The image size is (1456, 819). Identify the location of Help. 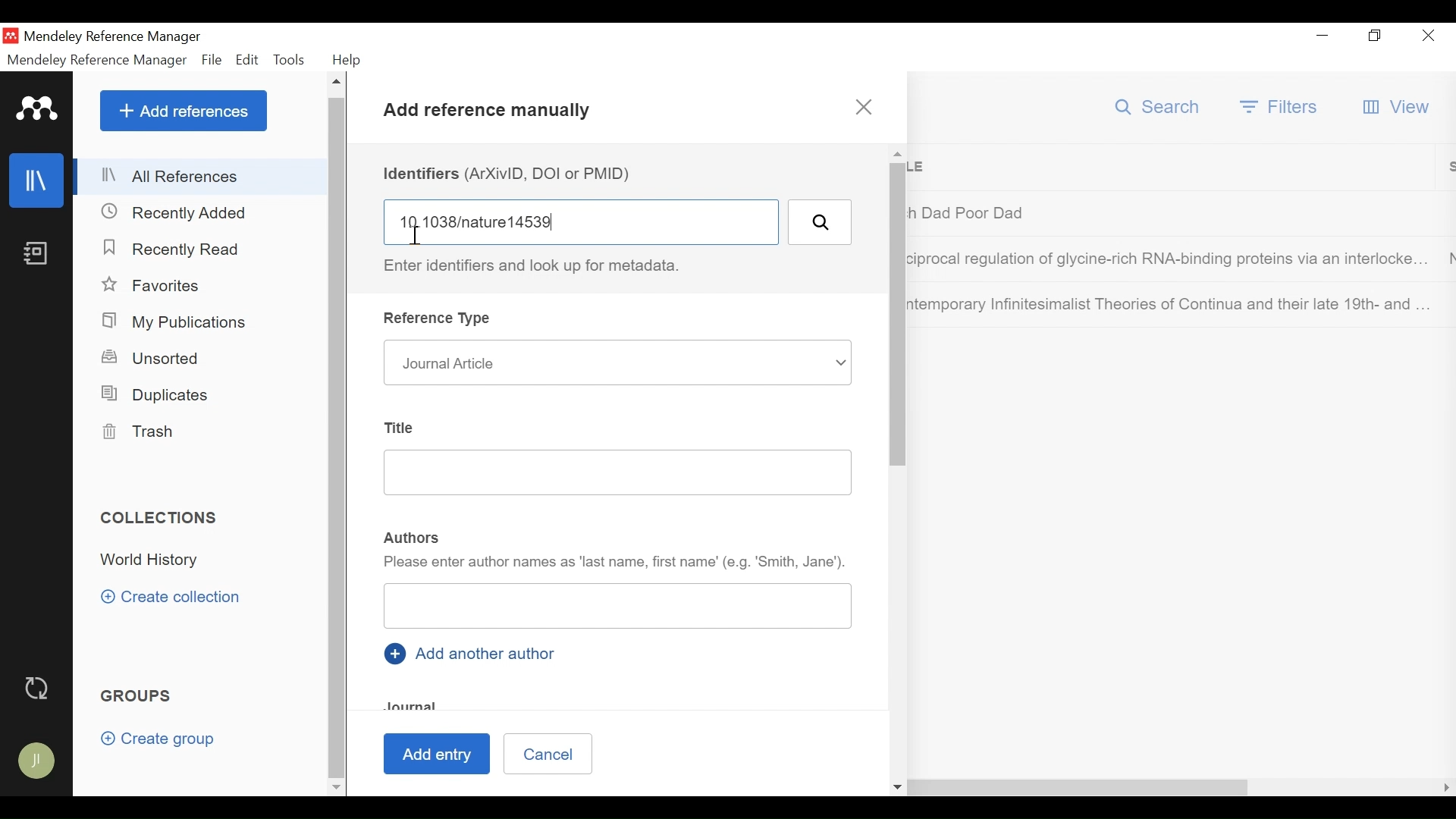
(347, 60).